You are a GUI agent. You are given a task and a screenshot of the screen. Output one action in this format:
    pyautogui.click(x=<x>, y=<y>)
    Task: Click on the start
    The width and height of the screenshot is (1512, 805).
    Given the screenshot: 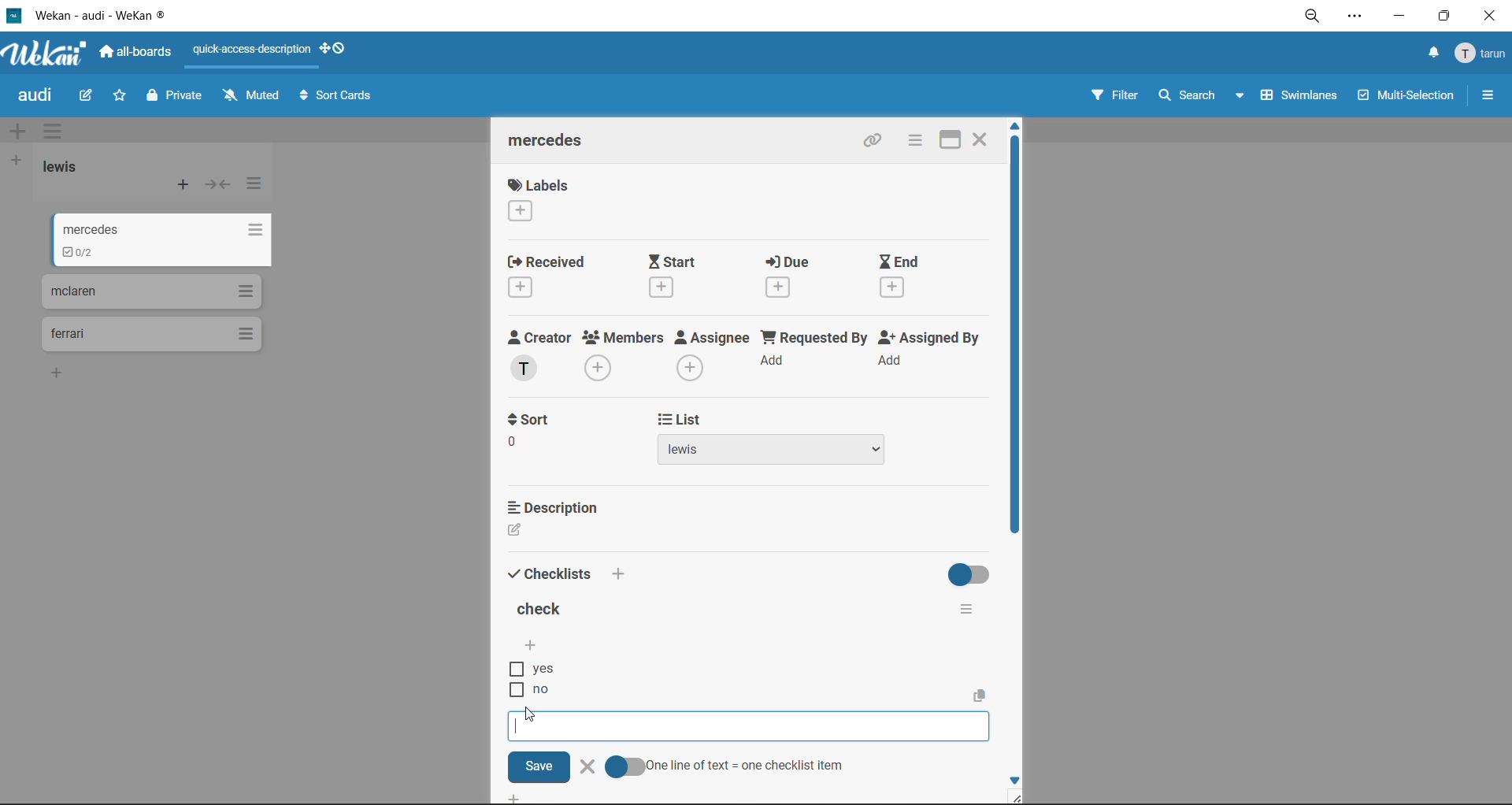 What is the action you would take?
    pyautogui.click(x=680, y=262)
    